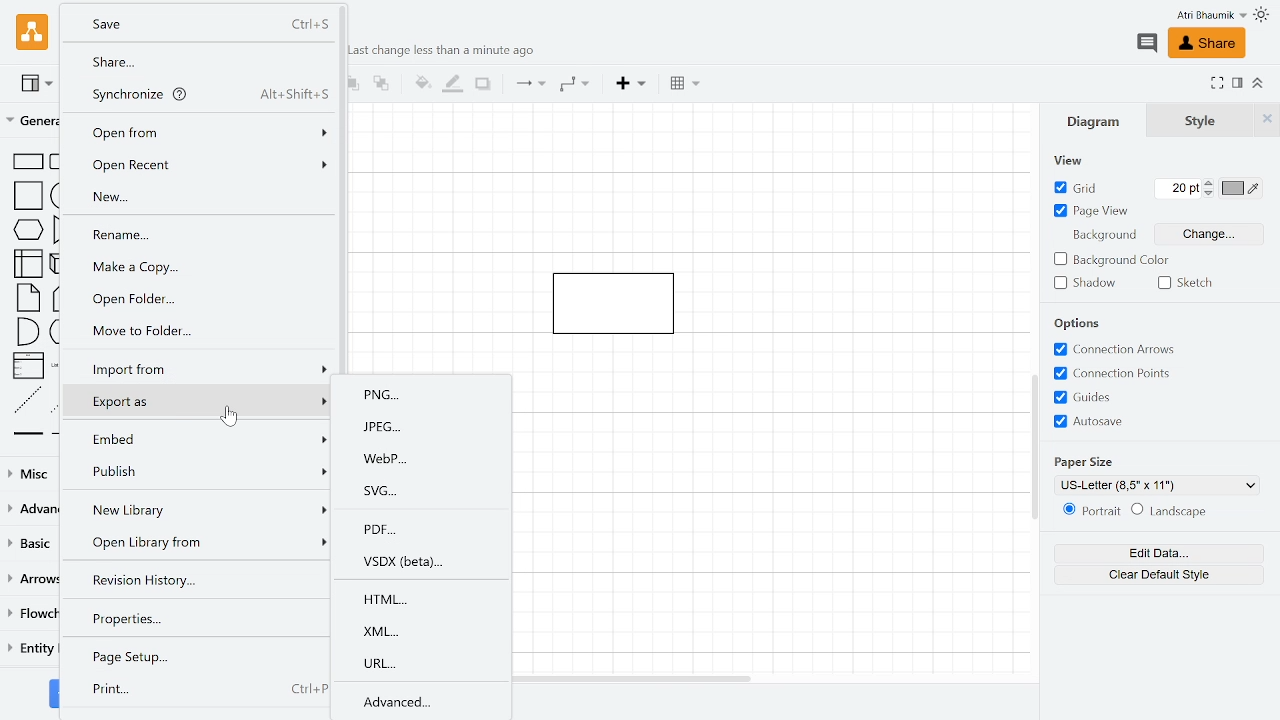 This screenshot has width=1280, height=720. Describe the element at coordinates (1083, 460) in the screenshot. I see `Paper Size` at that location.